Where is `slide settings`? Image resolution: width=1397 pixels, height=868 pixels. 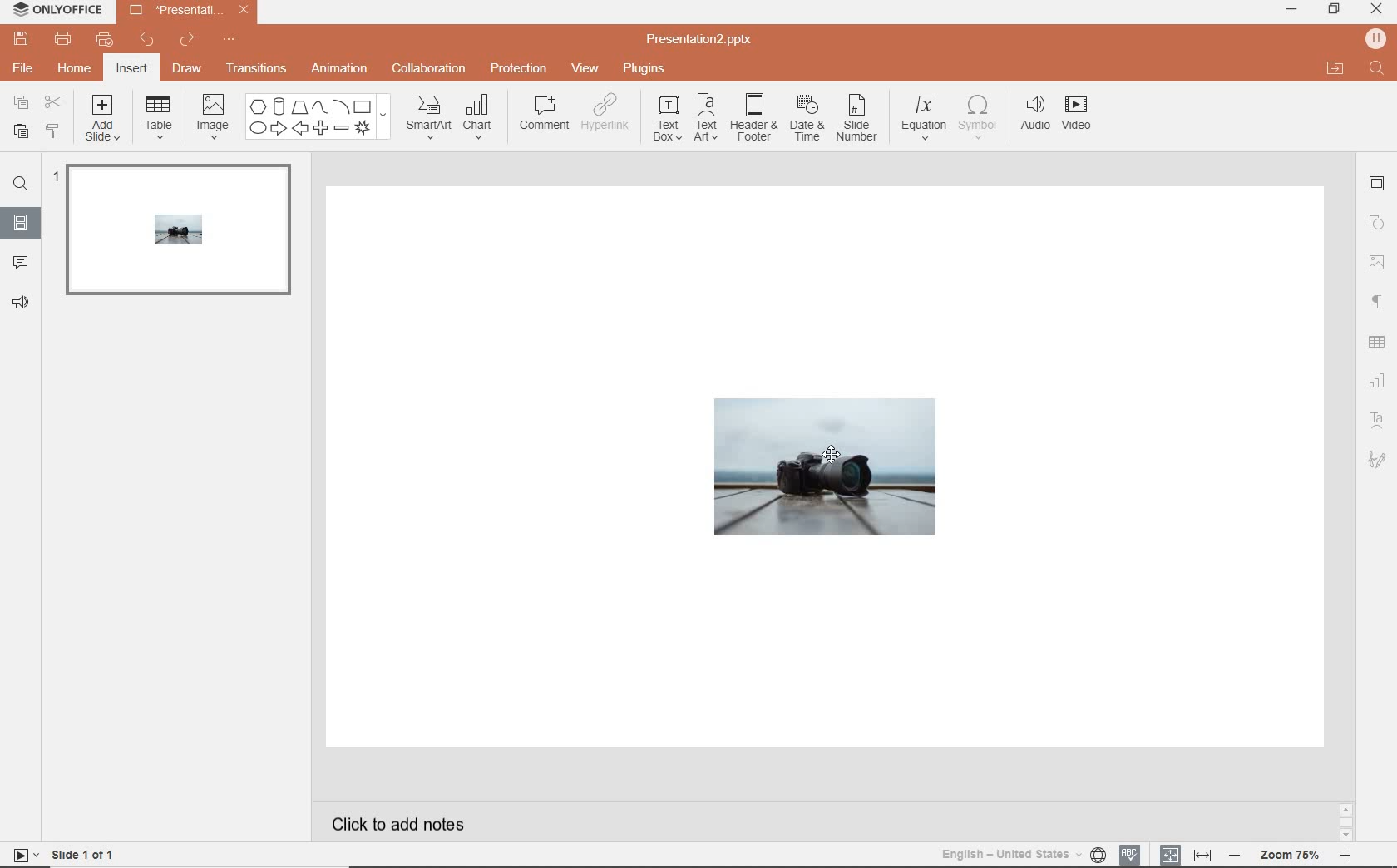 slide settings is located at coordinates (1377, 186).